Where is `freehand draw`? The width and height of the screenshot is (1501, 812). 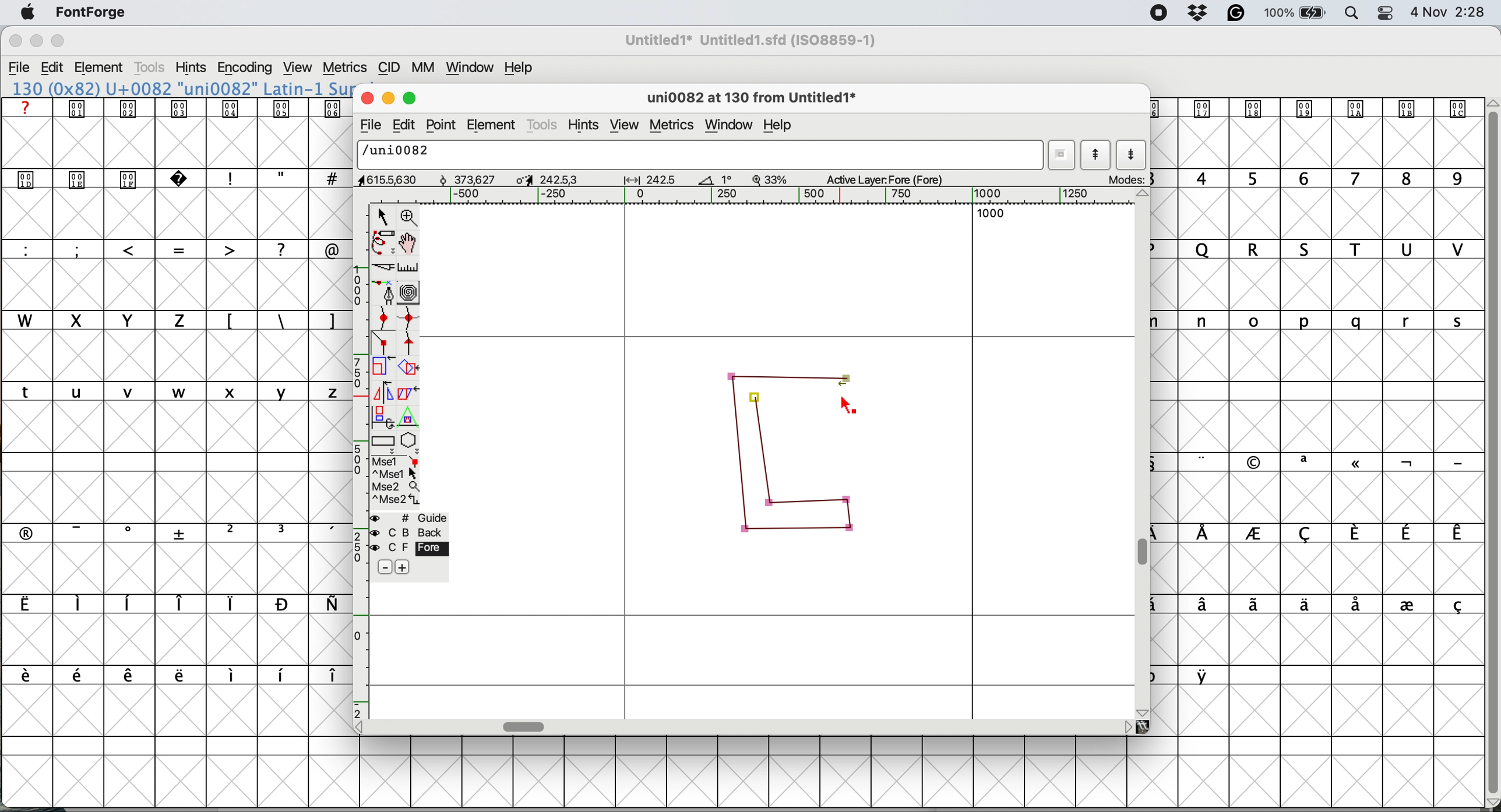 freehand draw is located at coordinates (385, 243).